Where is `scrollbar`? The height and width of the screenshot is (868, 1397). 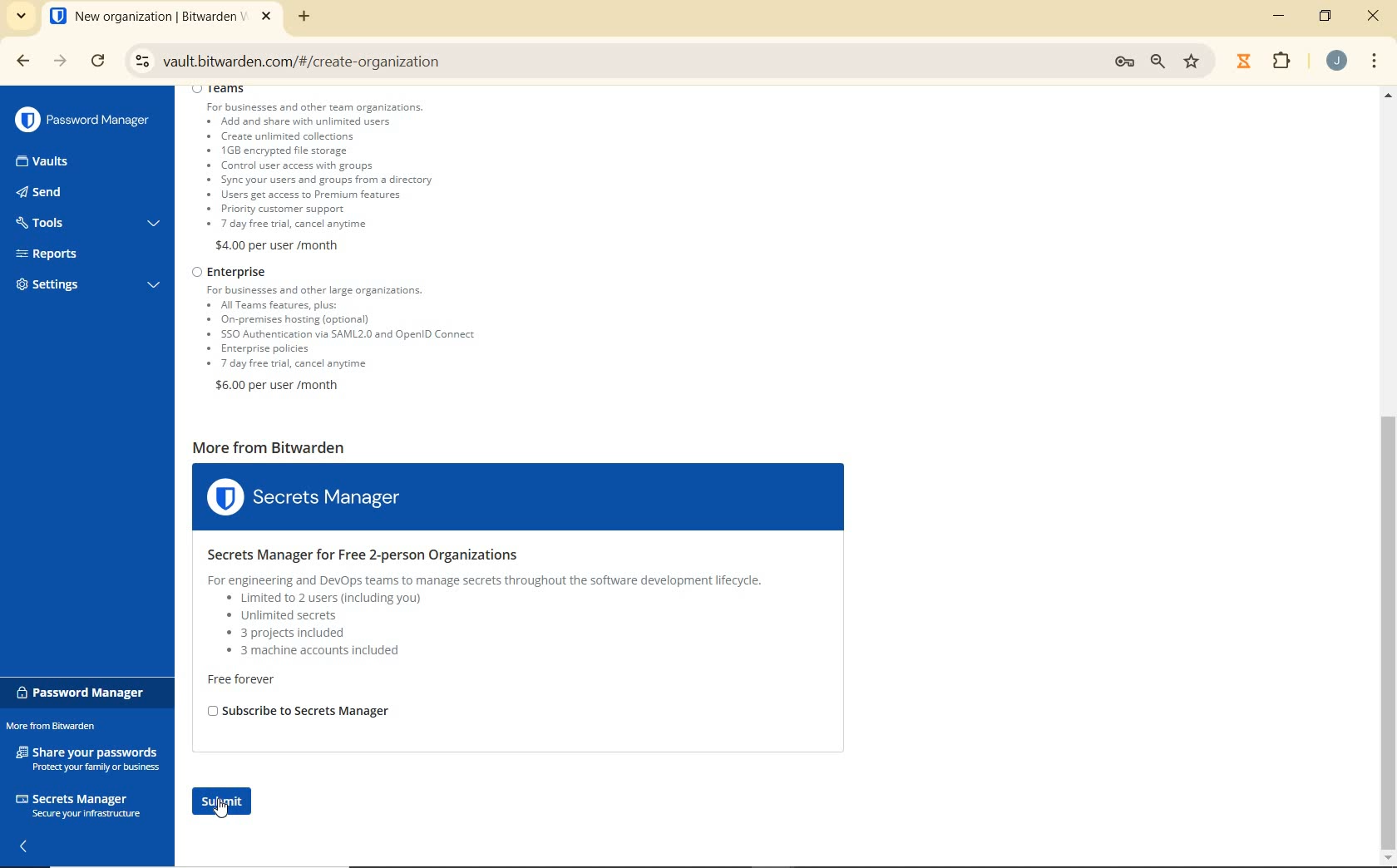 scrollbar is located at coordinates (1389, 475).